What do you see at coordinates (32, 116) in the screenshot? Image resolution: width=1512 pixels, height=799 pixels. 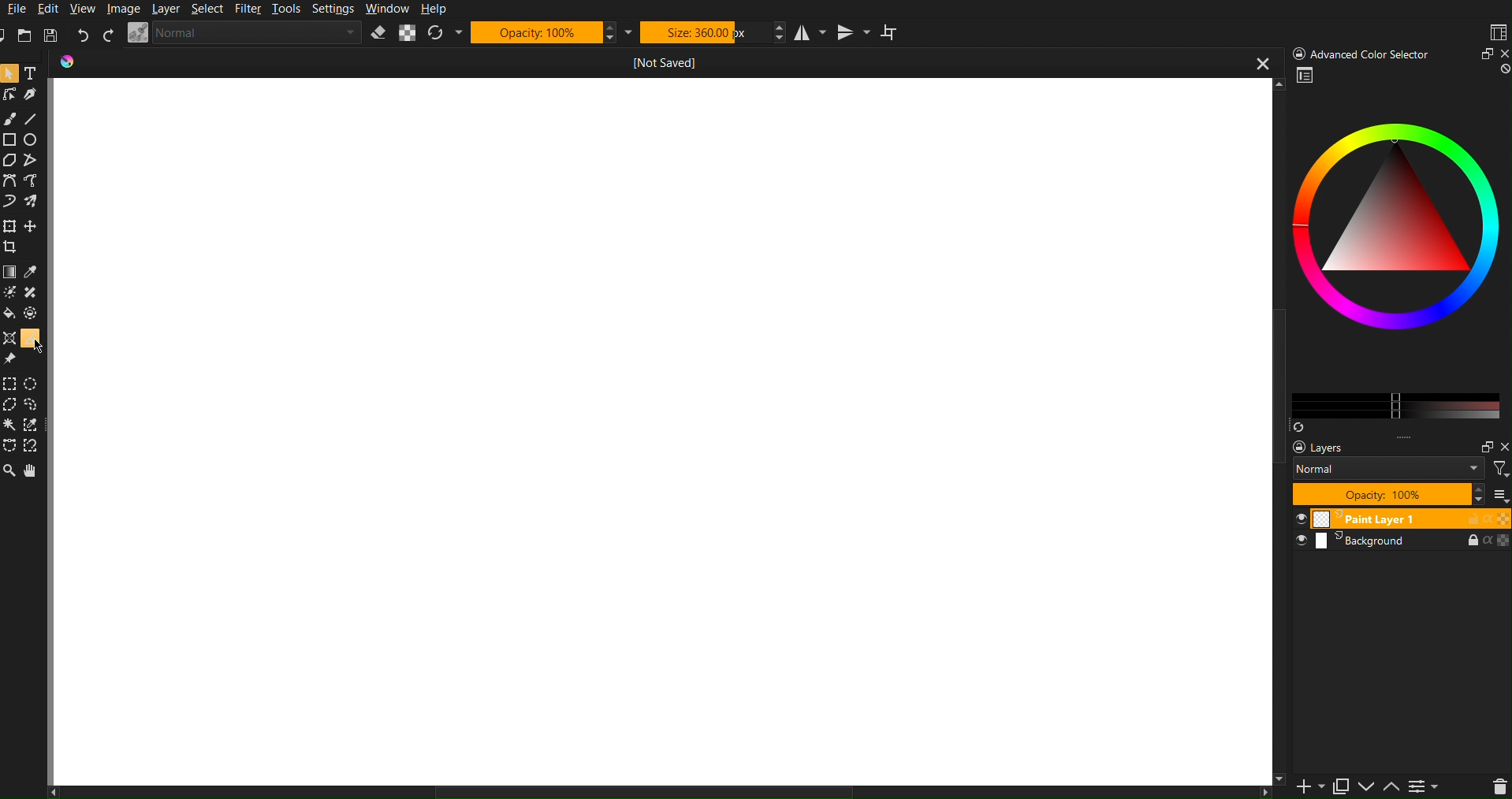 I see `Line` at bounding box center [32, 116].